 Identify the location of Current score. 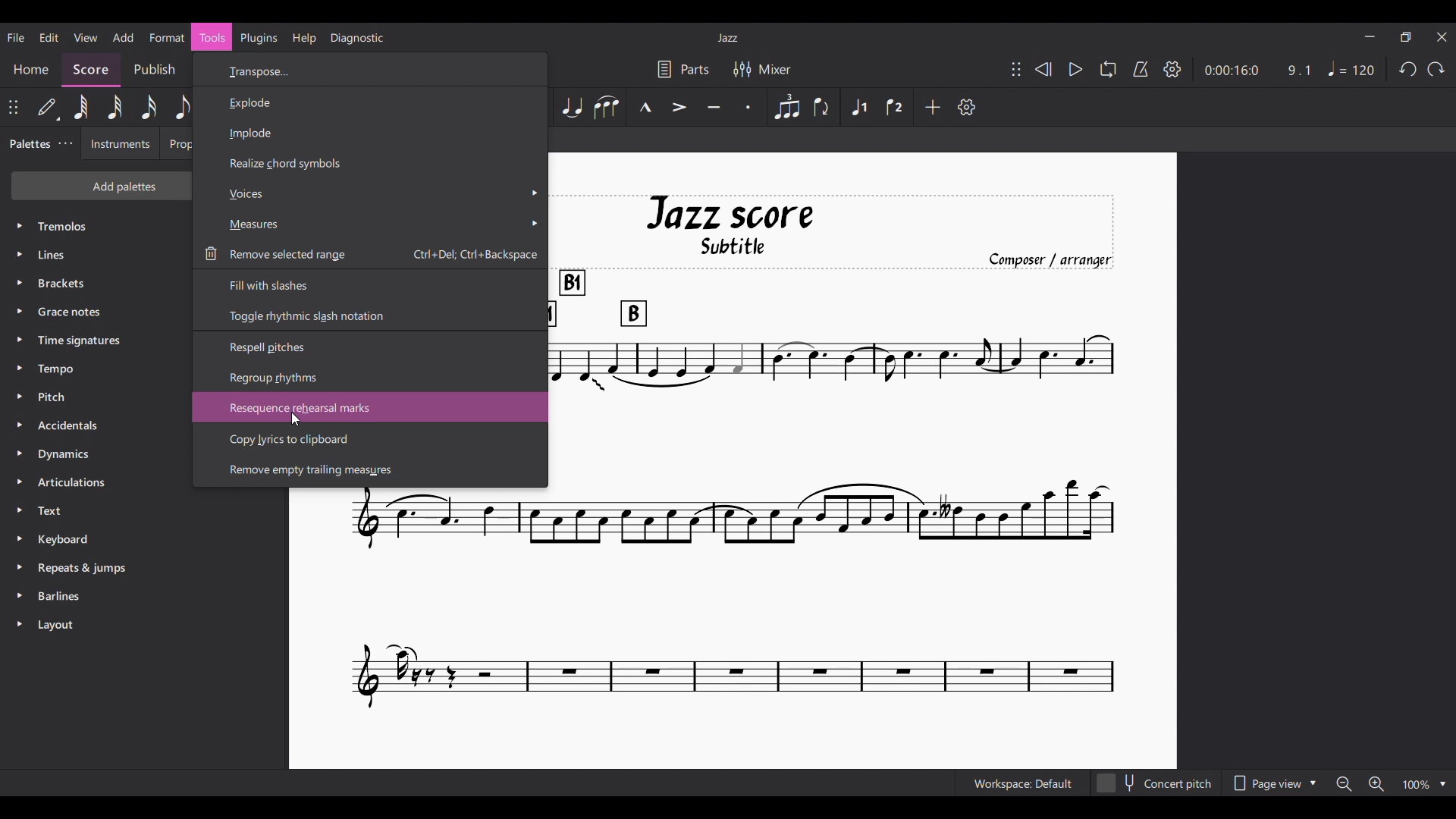
(833, 453).